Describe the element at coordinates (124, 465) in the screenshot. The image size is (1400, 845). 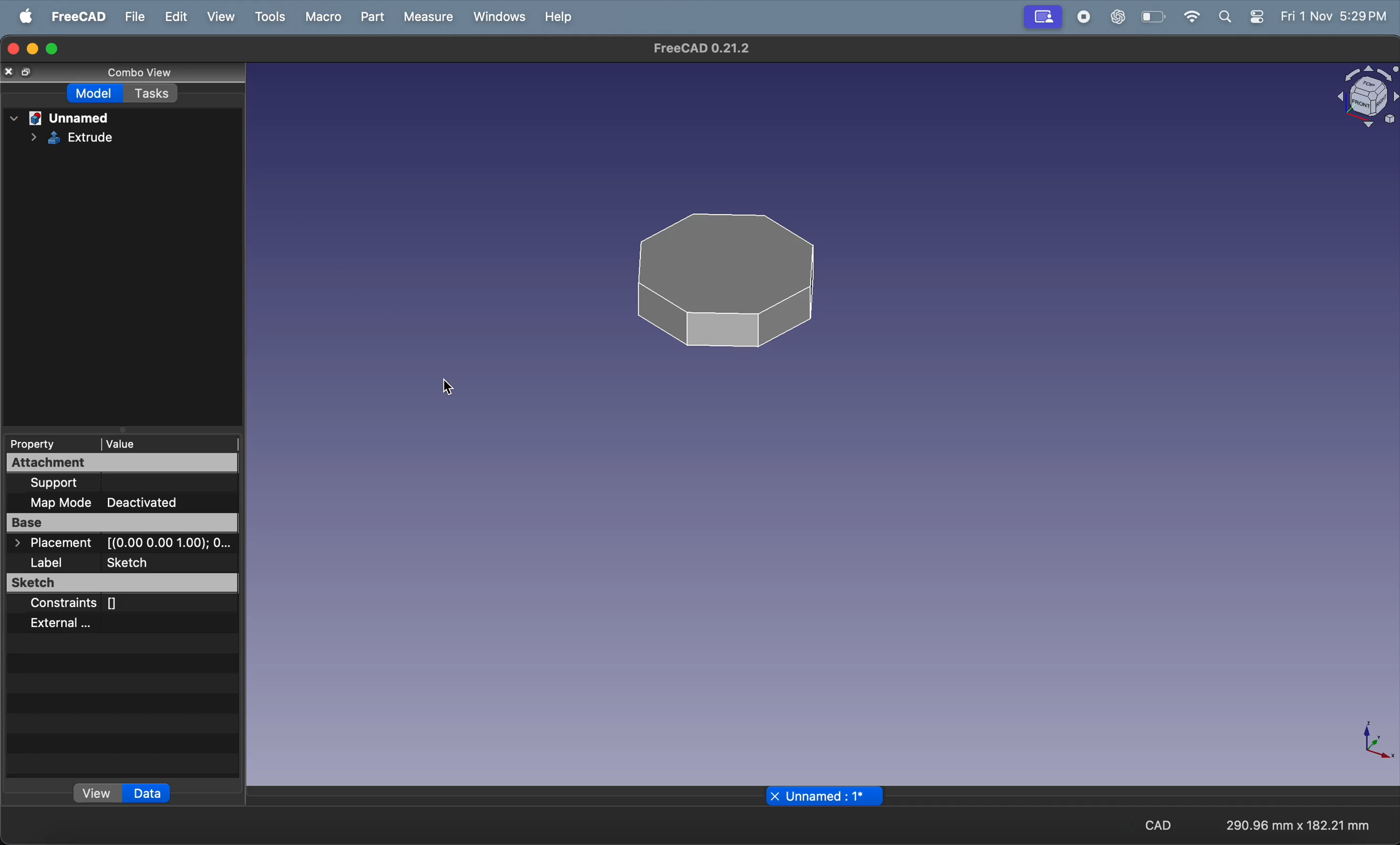
I see `attachment` at that location.